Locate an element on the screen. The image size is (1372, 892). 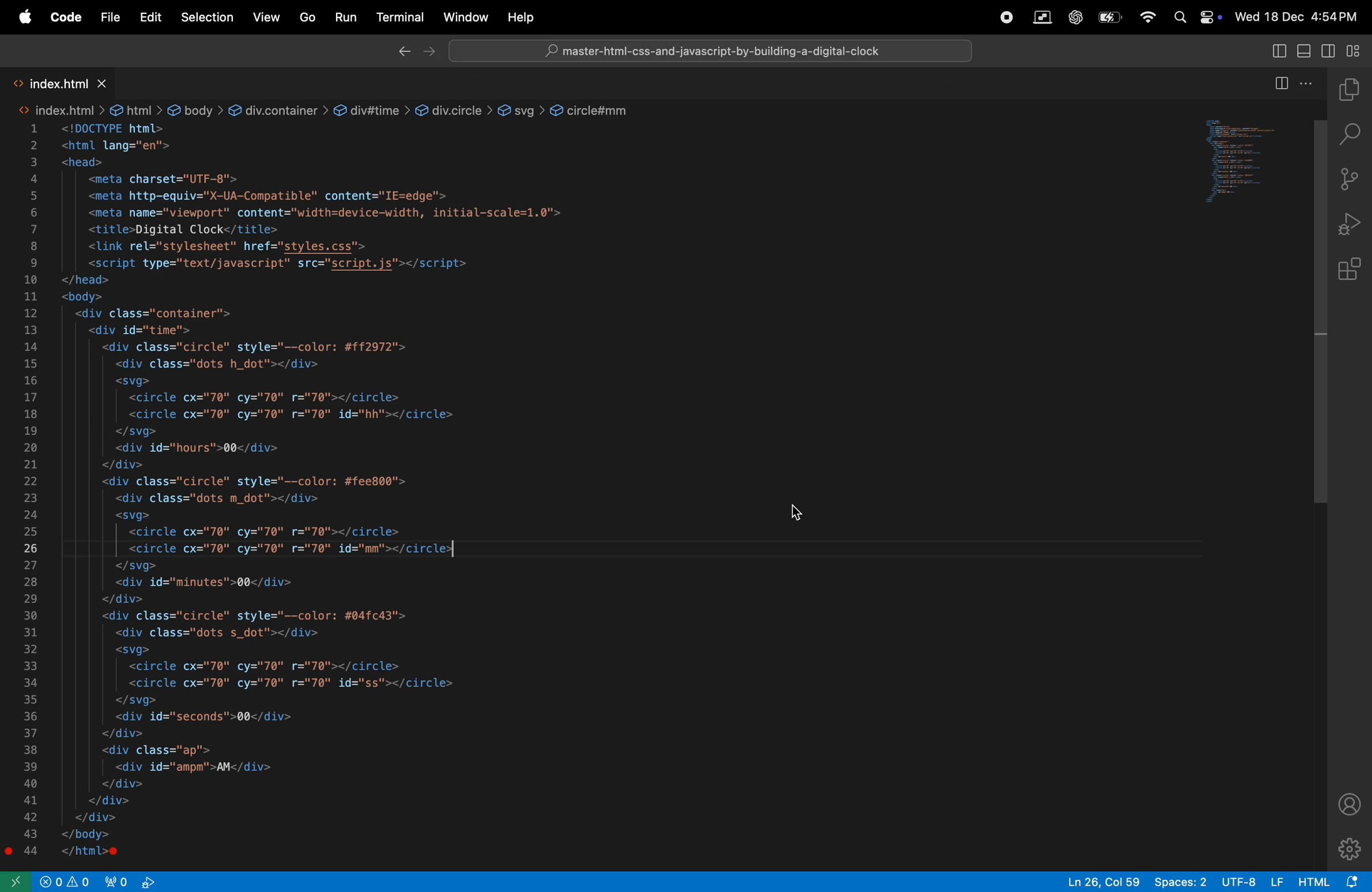
master-html-css-and-javascript-by-building-a-digital-clock is located at coordinates (721, 52).